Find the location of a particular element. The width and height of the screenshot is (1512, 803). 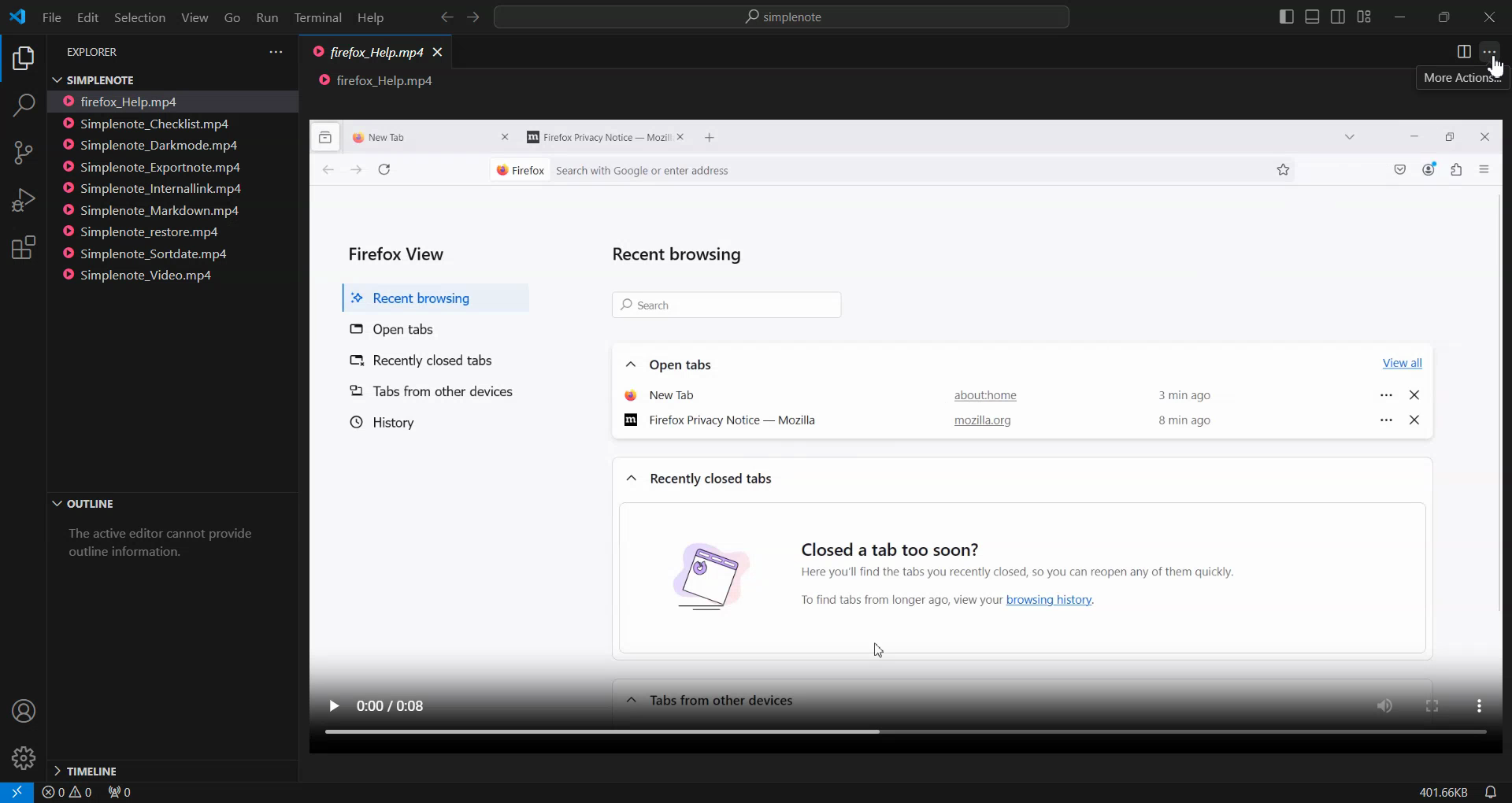

More  Action is located at coordinates (1455, 78).